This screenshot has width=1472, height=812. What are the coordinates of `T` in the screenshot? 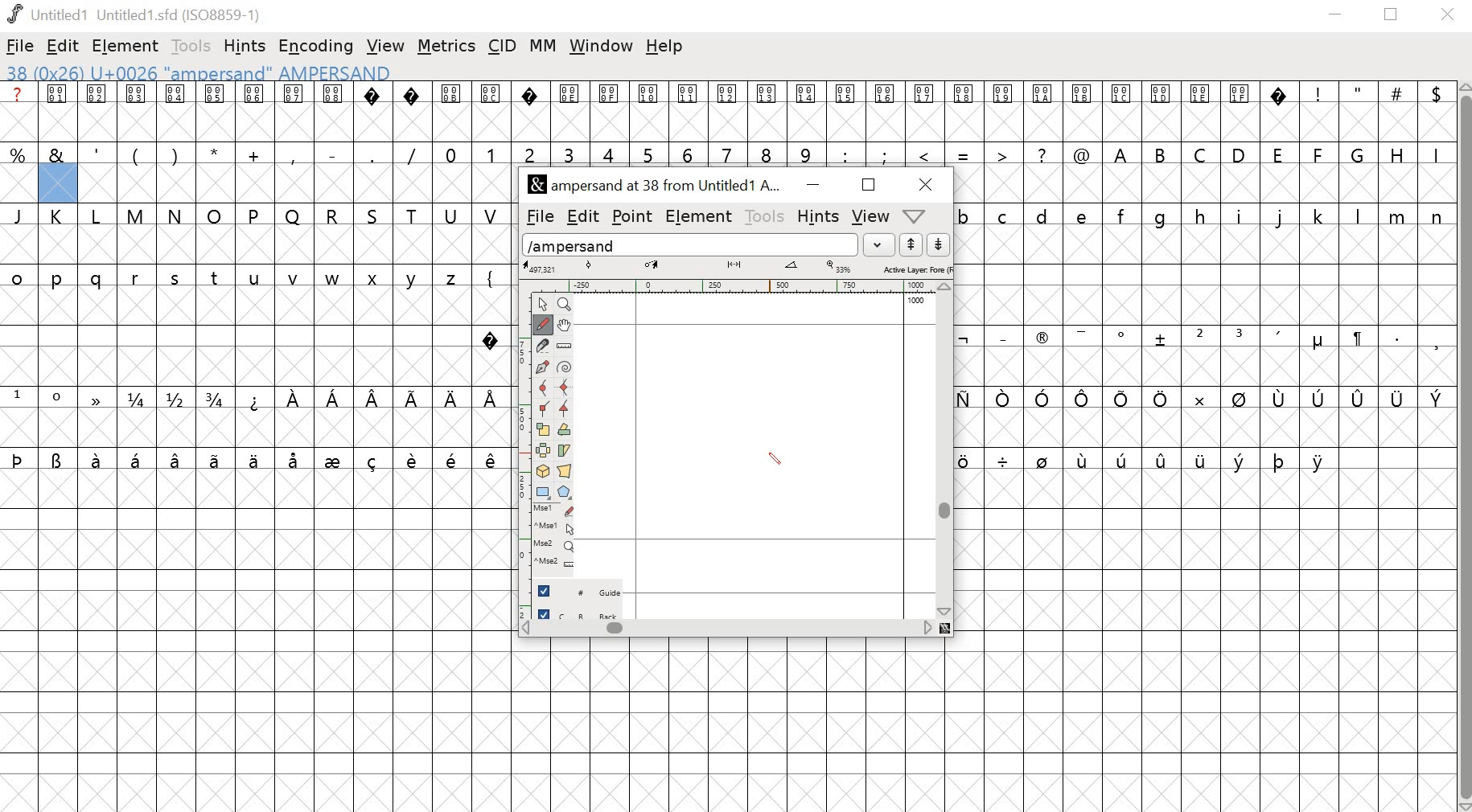 It's located at (416, 214).